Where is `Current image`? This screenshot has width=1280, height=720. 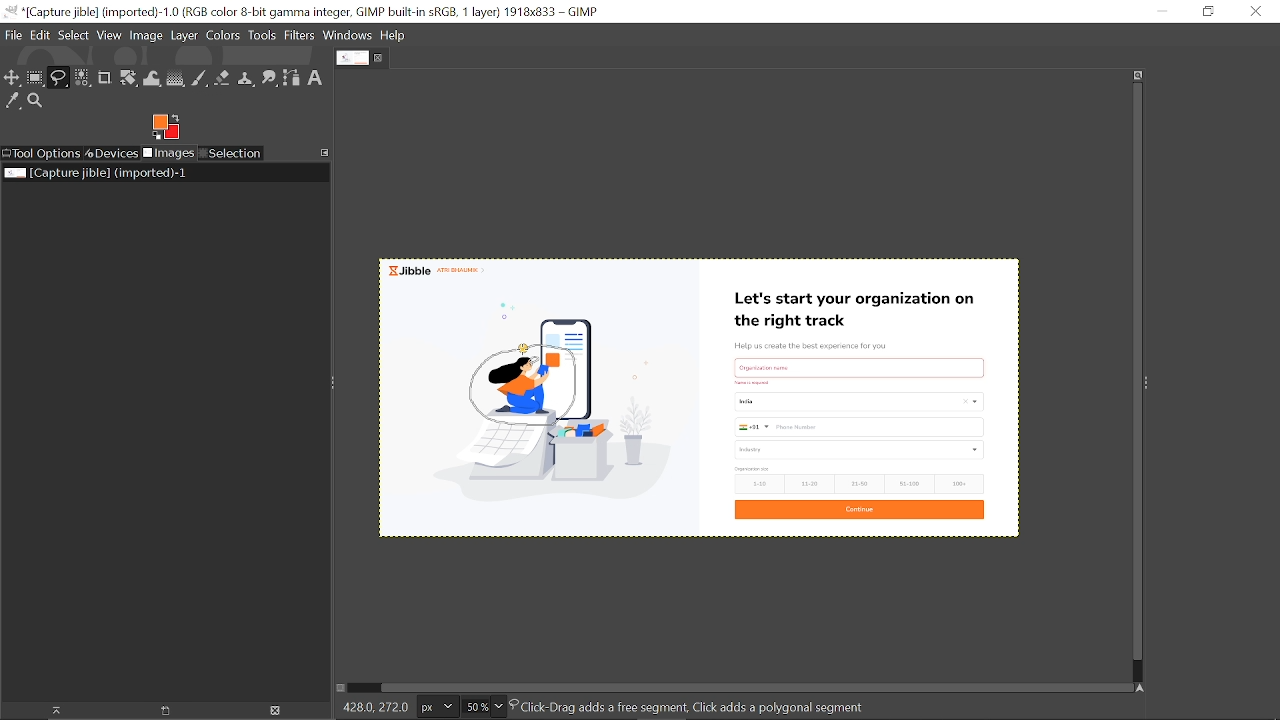
Current image is located at coordinates (818, 396).